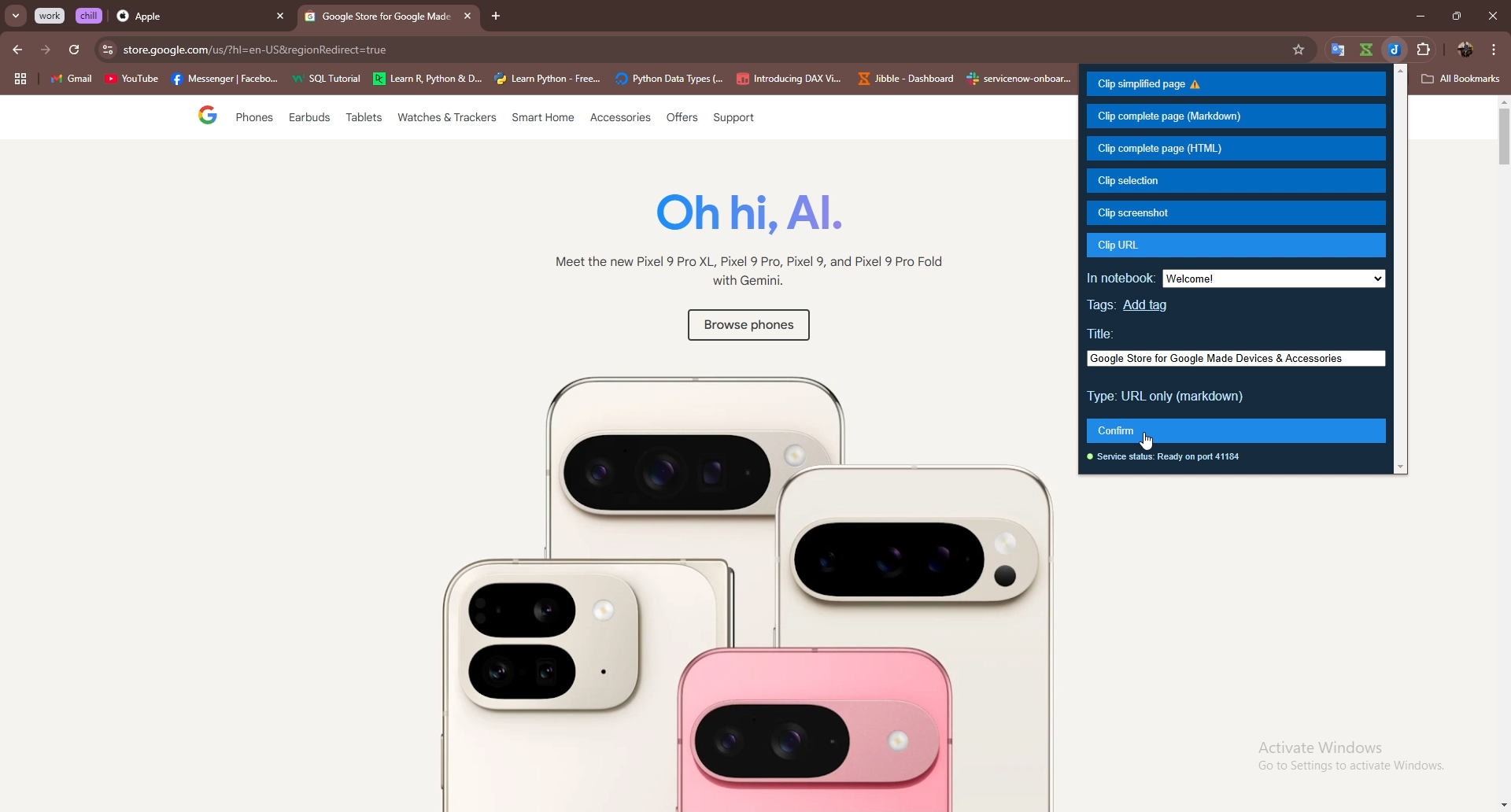 The width and height of the screenshot is (1511, 812). Describe the element at coordinates (20, 79) in the screenshot. I see `tab groups` at that location.